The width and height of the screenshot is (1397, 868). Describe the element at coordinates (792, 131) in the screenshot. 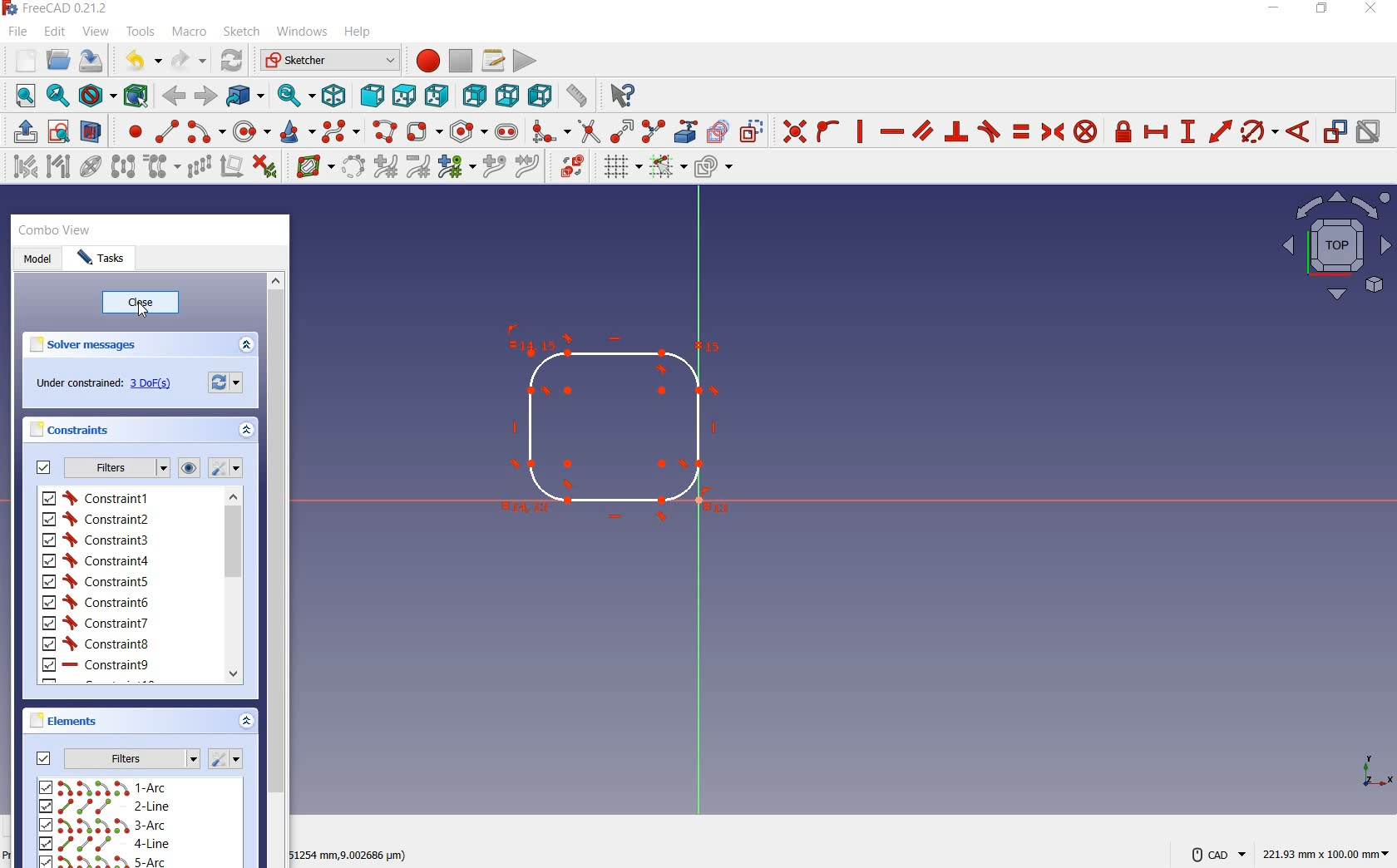

I see `constrain coincident` at that location.